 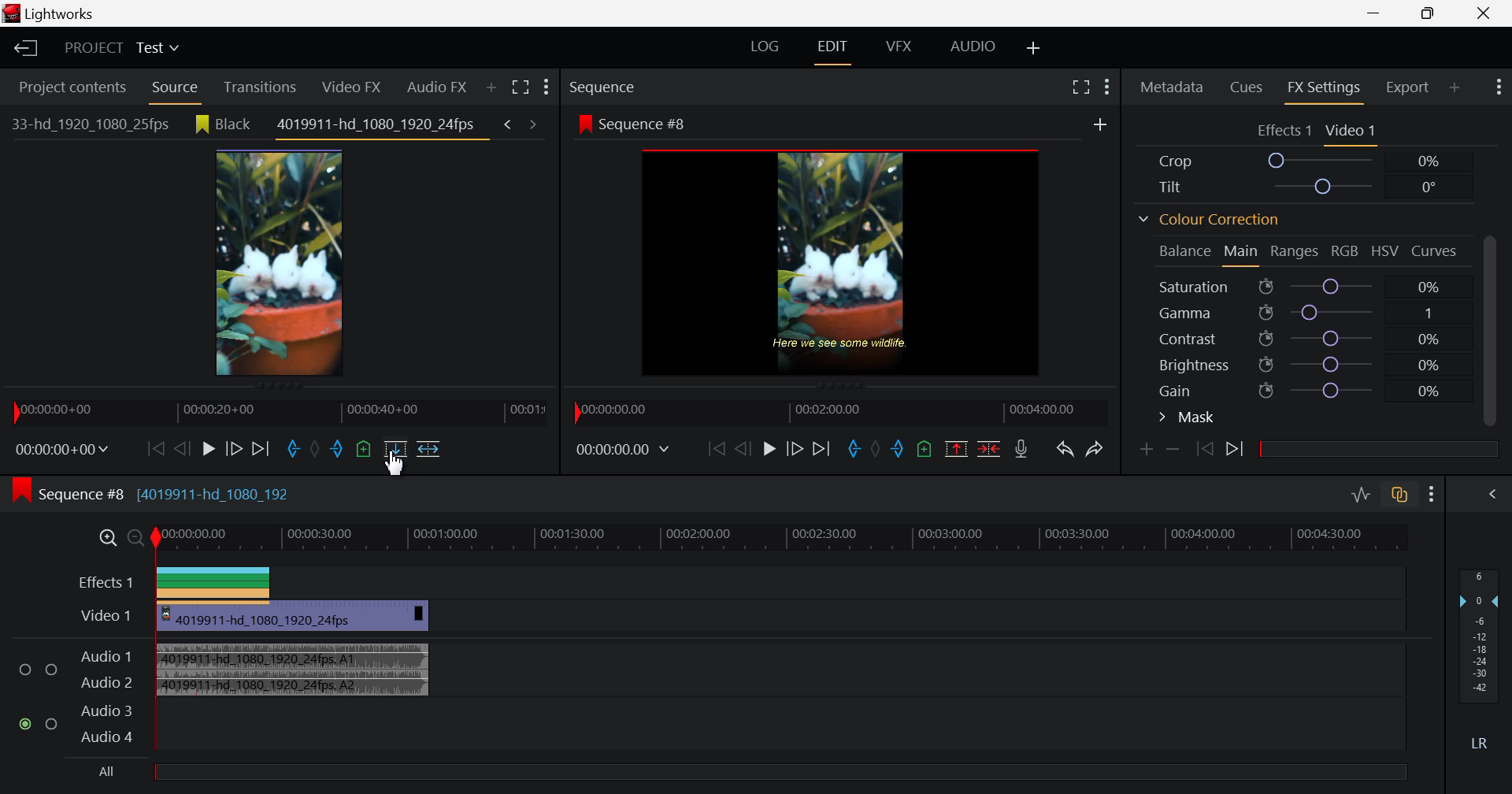 What do you see at coordinates (767, 46) in the screenshot?
I see `LOG Layout` at bounding box center [767, 46].